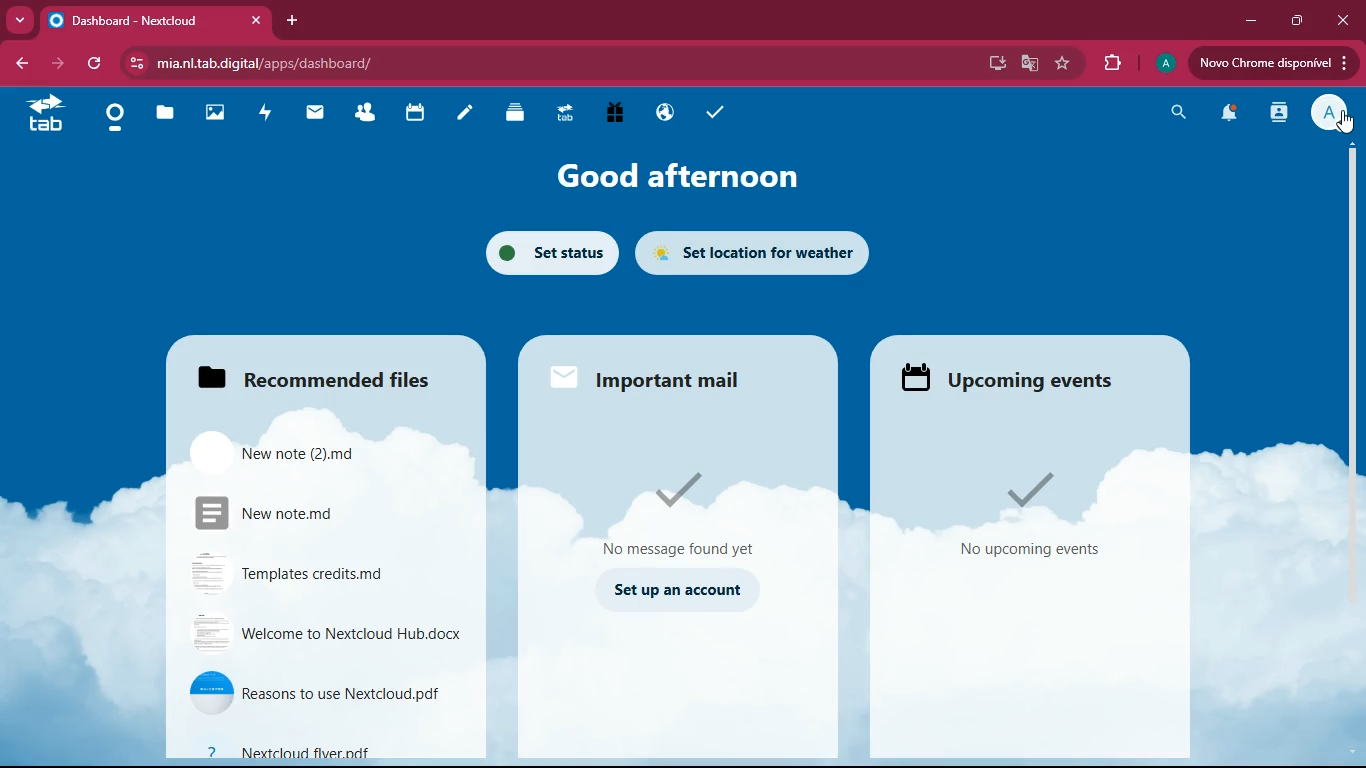  Describe the element at coordinates (710, 112) in the screenshot. I see `tasks` at that location.